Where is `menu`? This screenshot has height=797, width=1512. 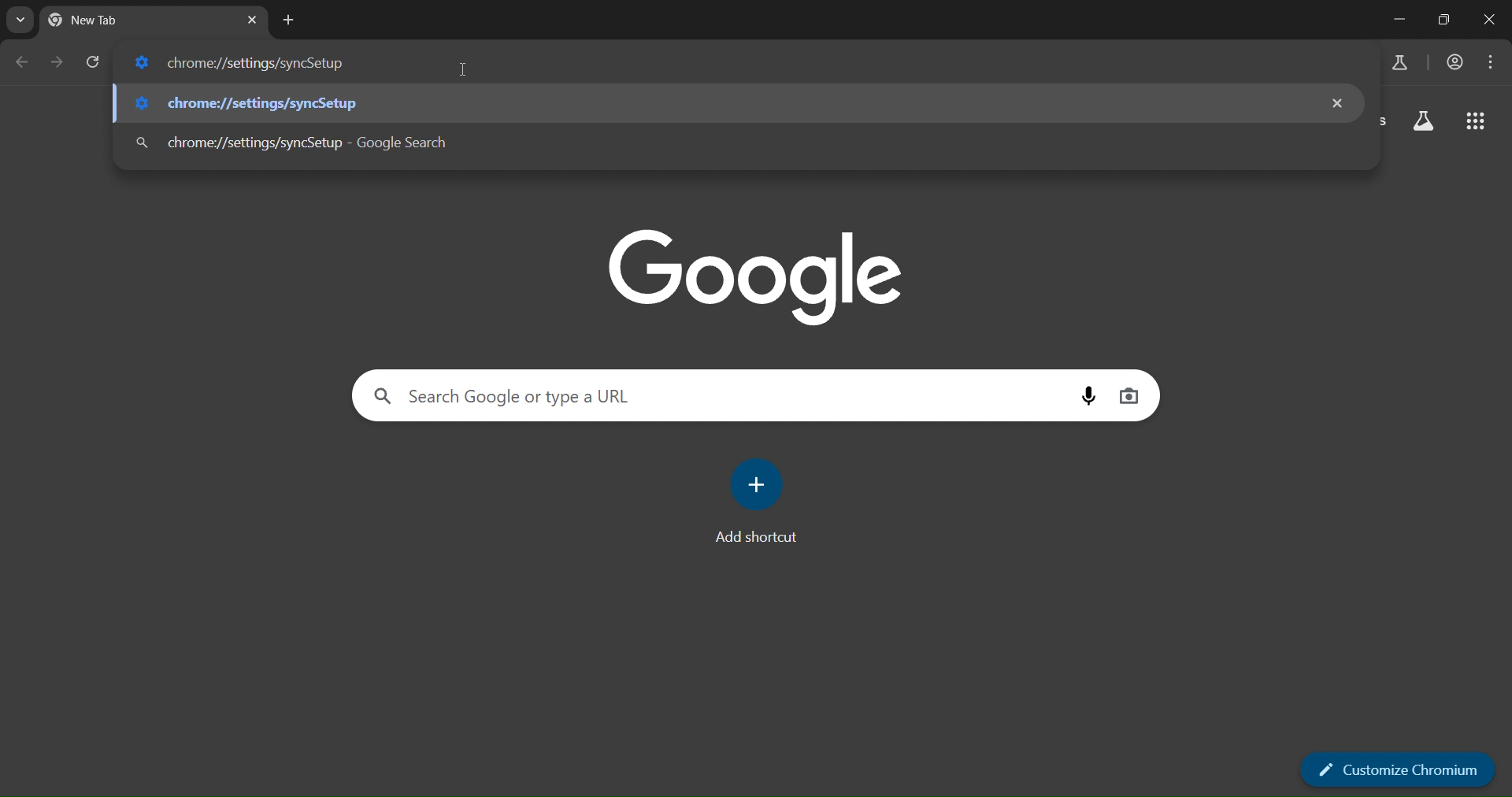 menu is located at coordinates (1492, 60).